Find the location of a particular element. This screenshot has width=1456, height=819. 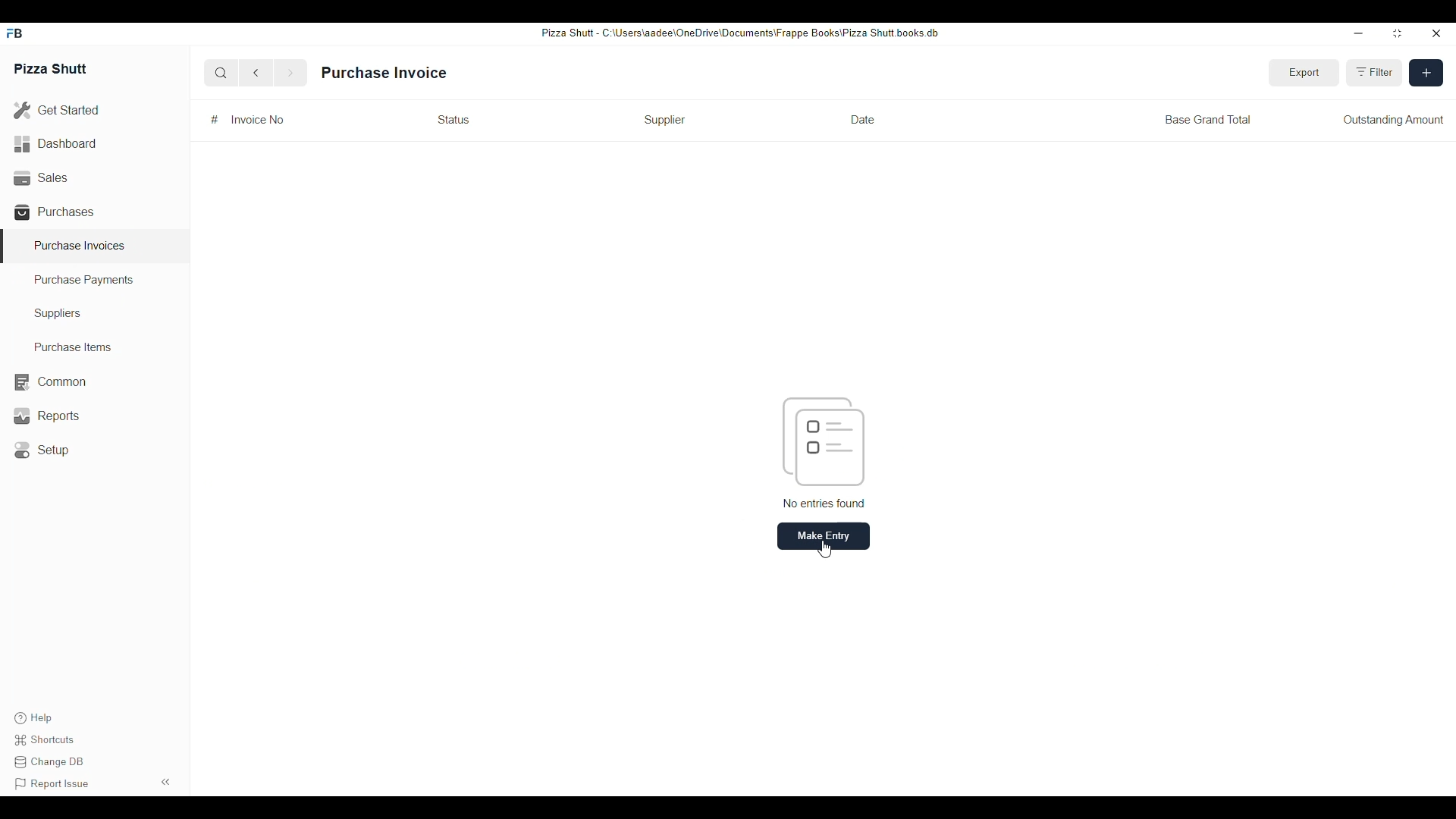

# is located at coordinates (214, 120).